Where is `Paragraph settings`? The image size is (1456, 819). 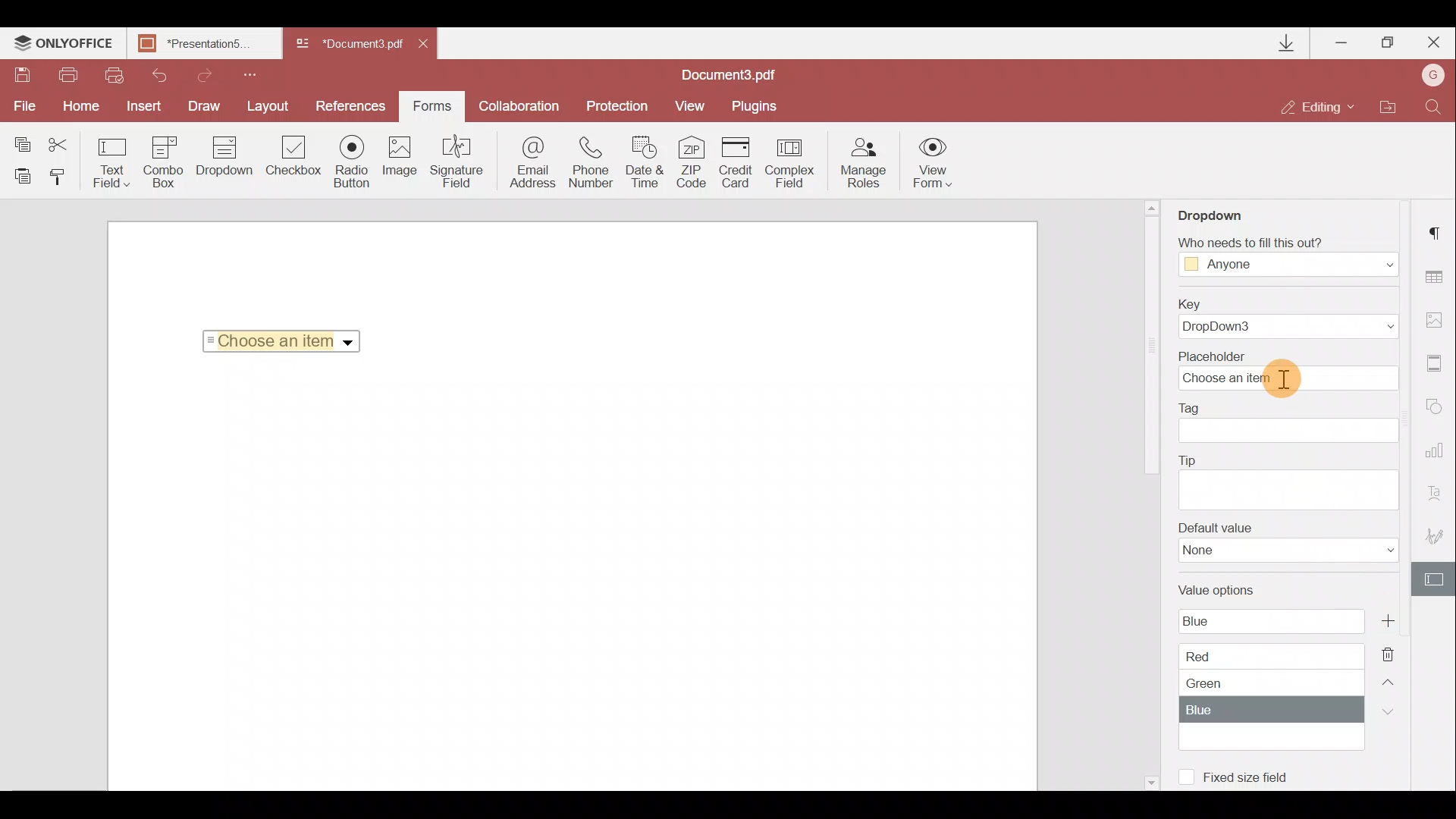 Paragraph settings is located at coordinates (1439, 231).